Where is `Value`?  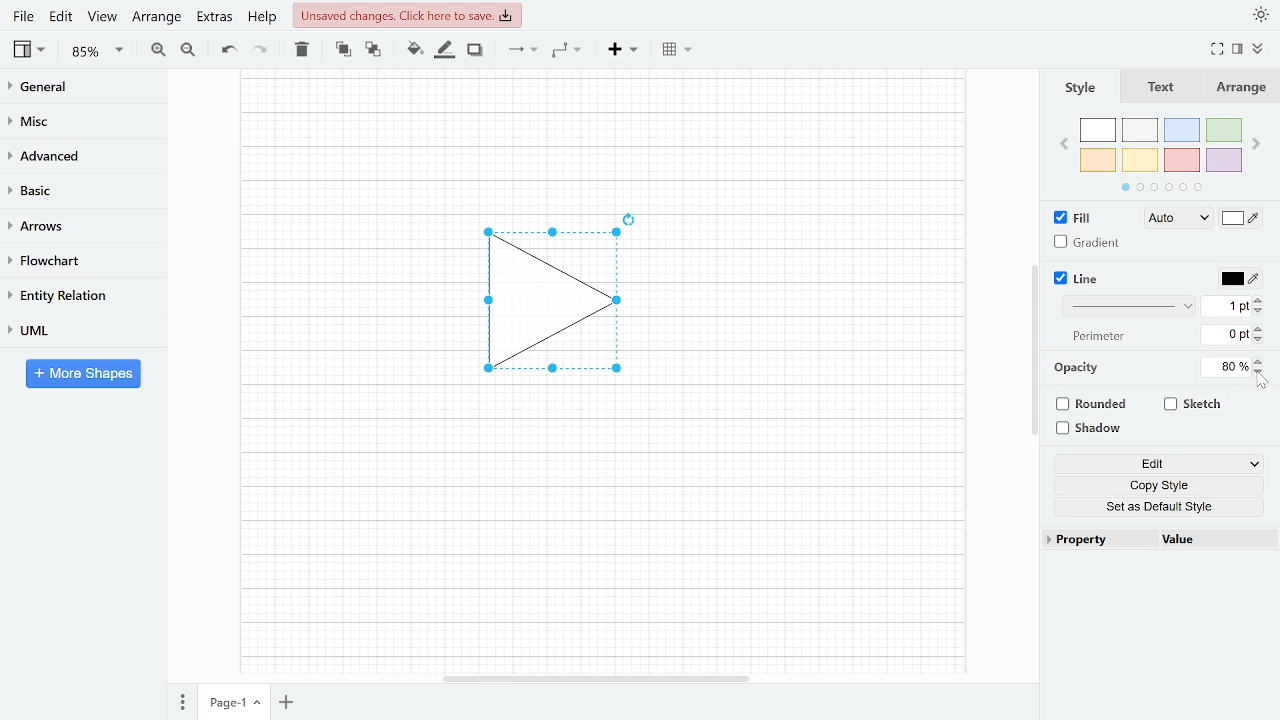
Value is located at coordinates (1213, 541).